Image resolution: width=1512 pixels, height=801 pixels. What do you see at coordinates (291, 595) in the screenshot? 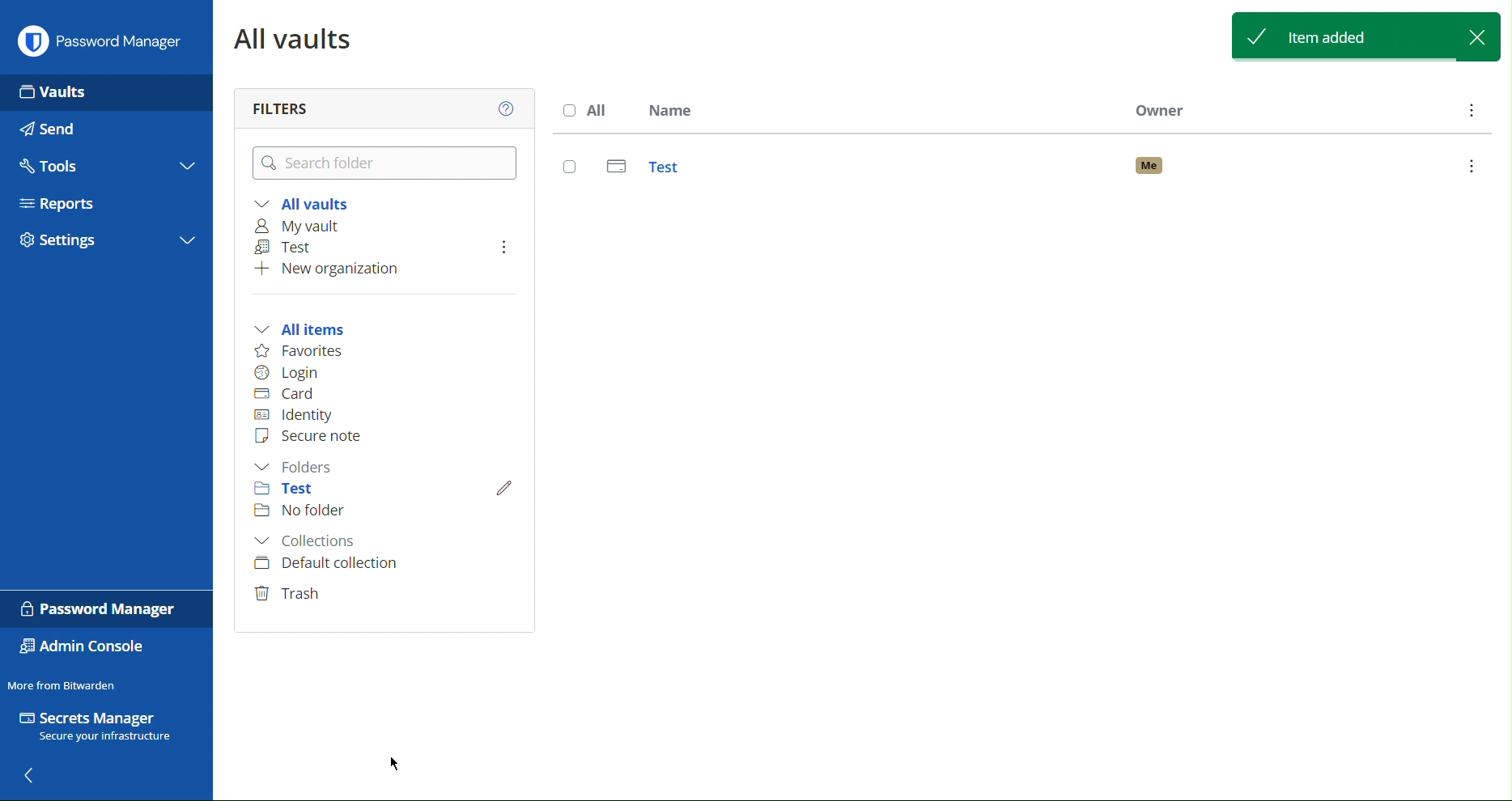
I see `Trash` at bounding box center [291, 595].